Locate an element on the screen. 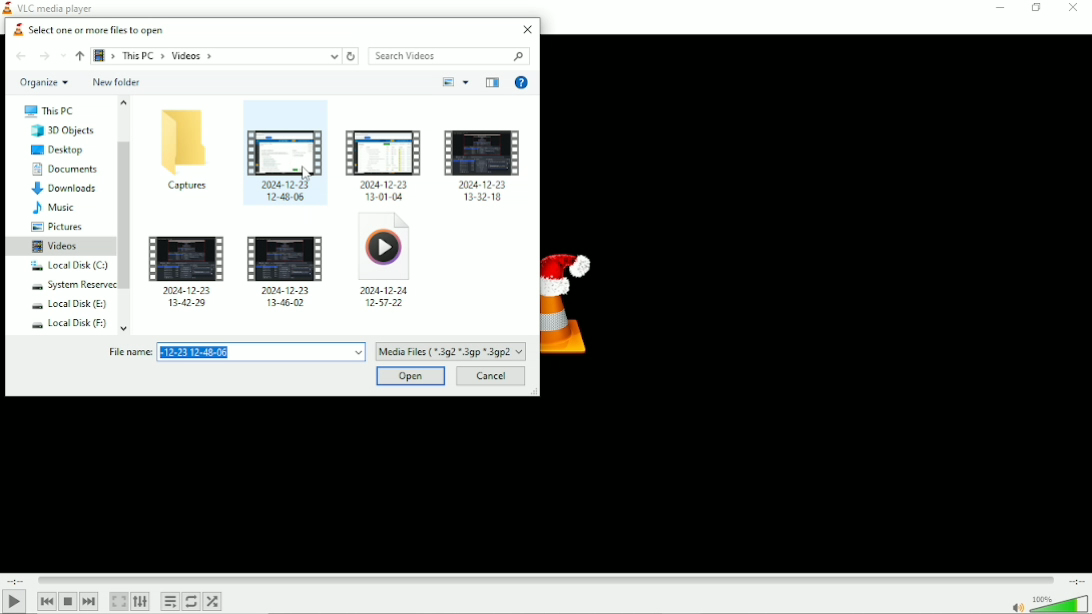 The height and width of the screenshot is (614, 1092). Help is located at coordinates (521, 83).